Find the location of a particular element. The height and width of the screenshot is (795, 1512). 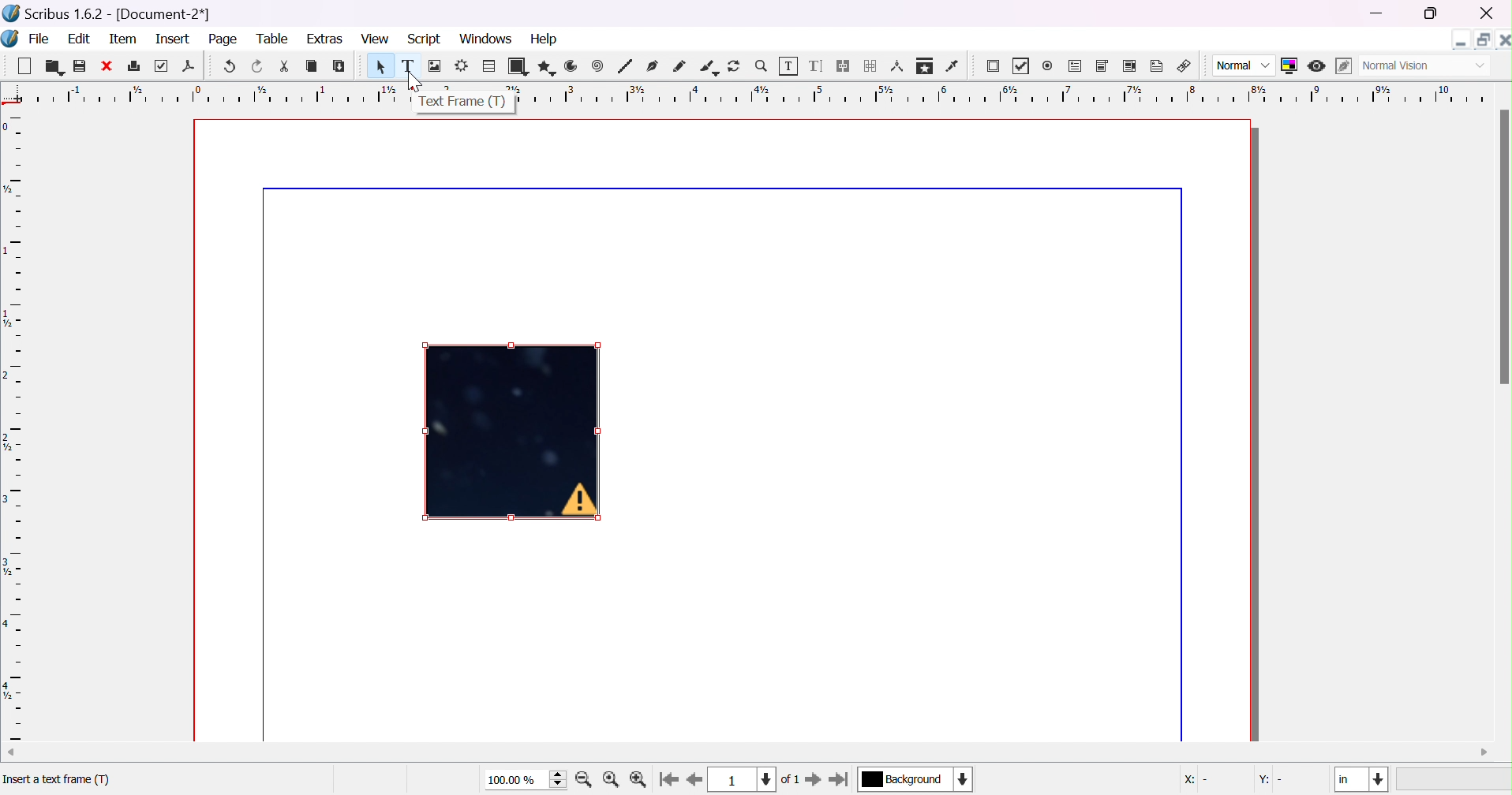

select item is located at coordinates (382, 68).